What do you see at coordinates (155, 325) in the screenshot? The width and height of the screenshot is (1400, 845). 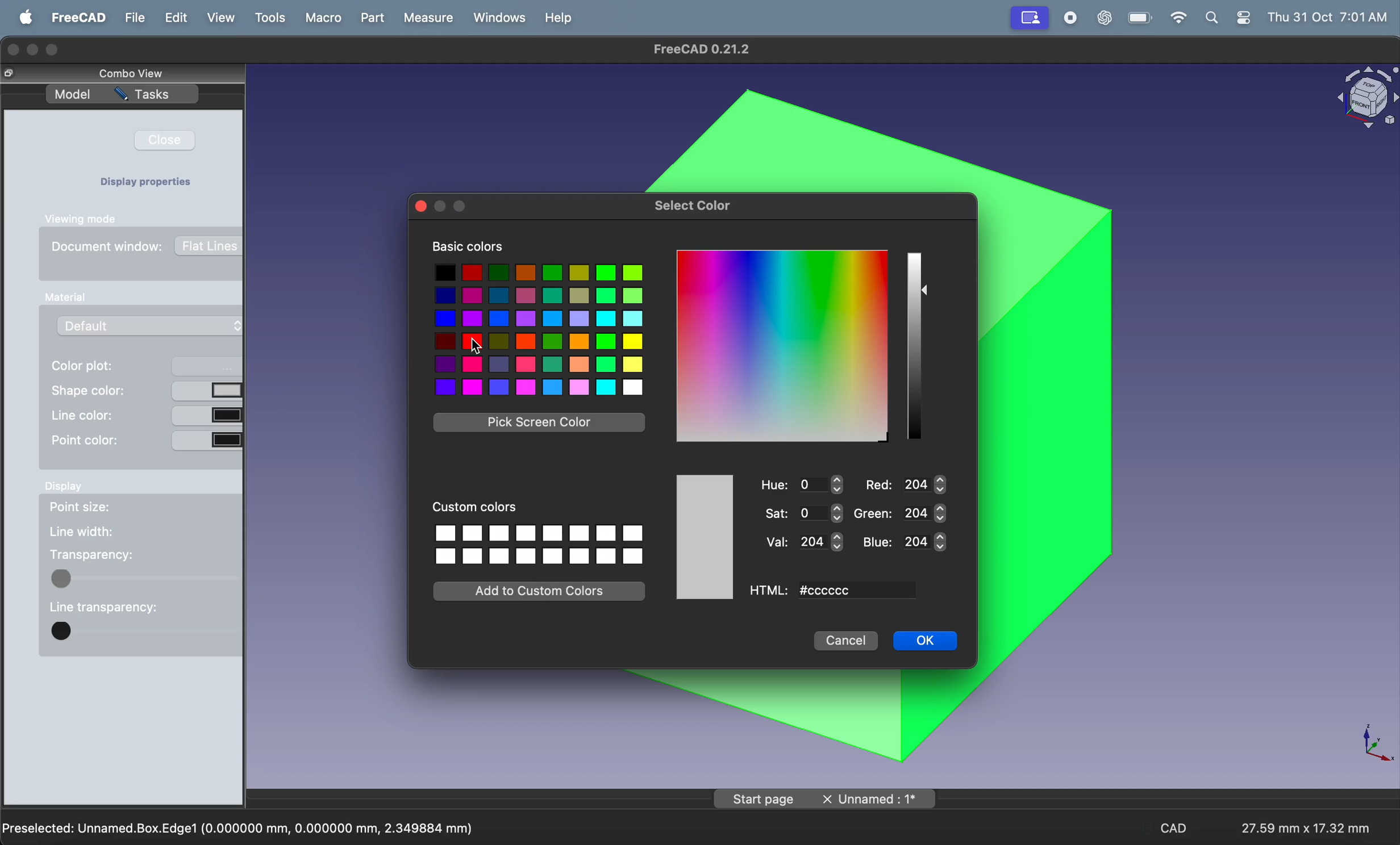 I see `default` at bounding box center [155, 325].